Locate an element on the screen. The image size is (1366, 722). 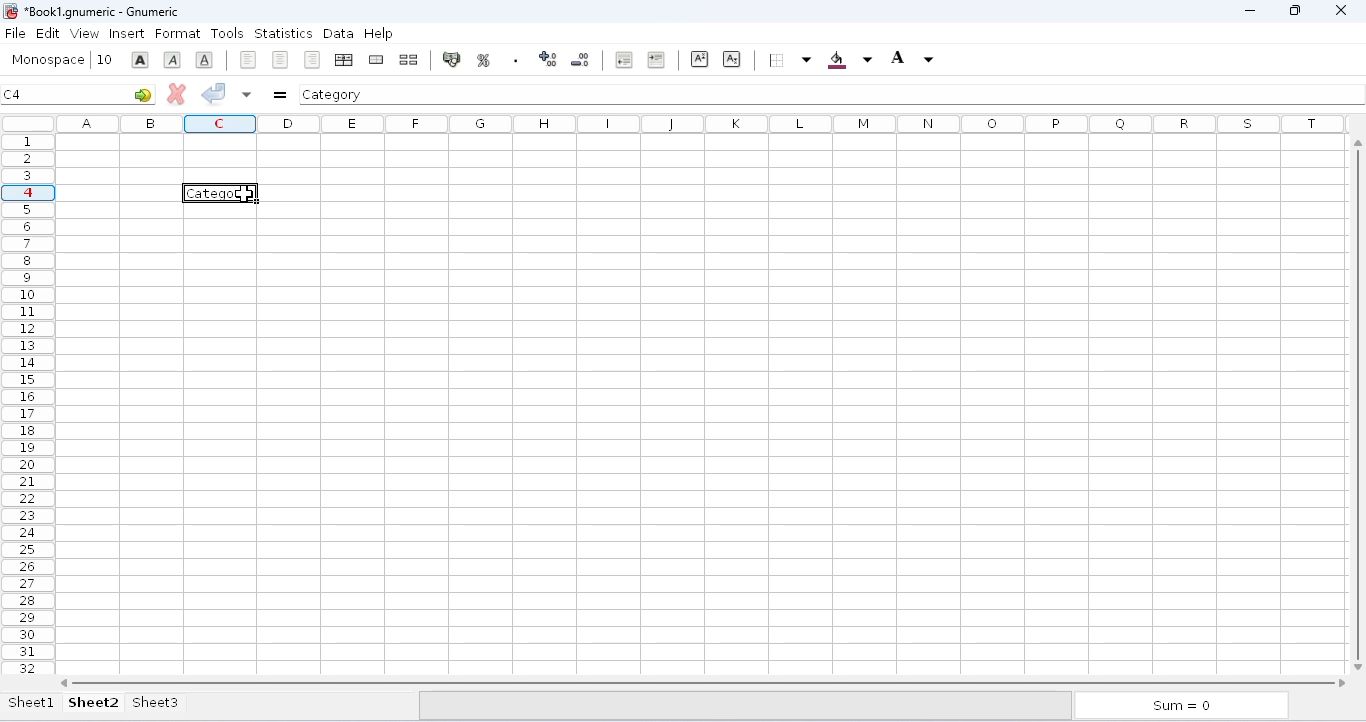
align left is located at coordinates (248, 60).